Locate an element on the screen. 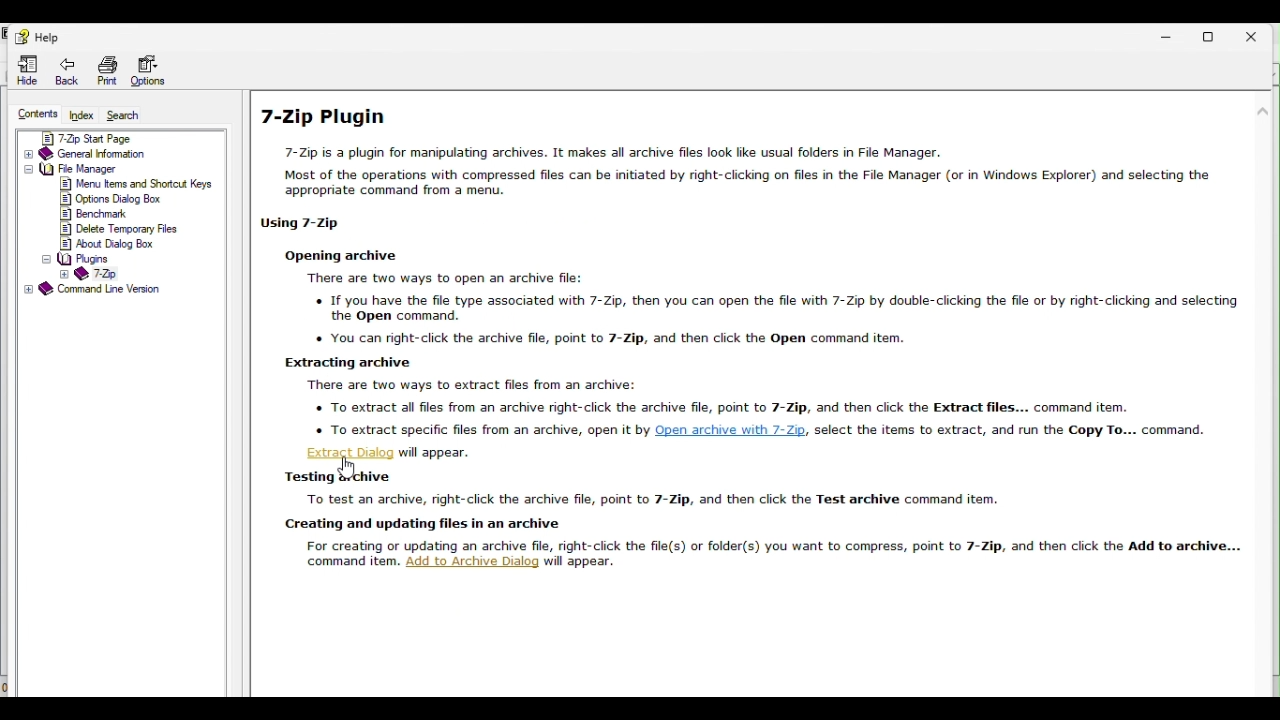 Image resolution: width=1280 pixels, height=720 pixels. Hide is located at coordinates (27, 69).